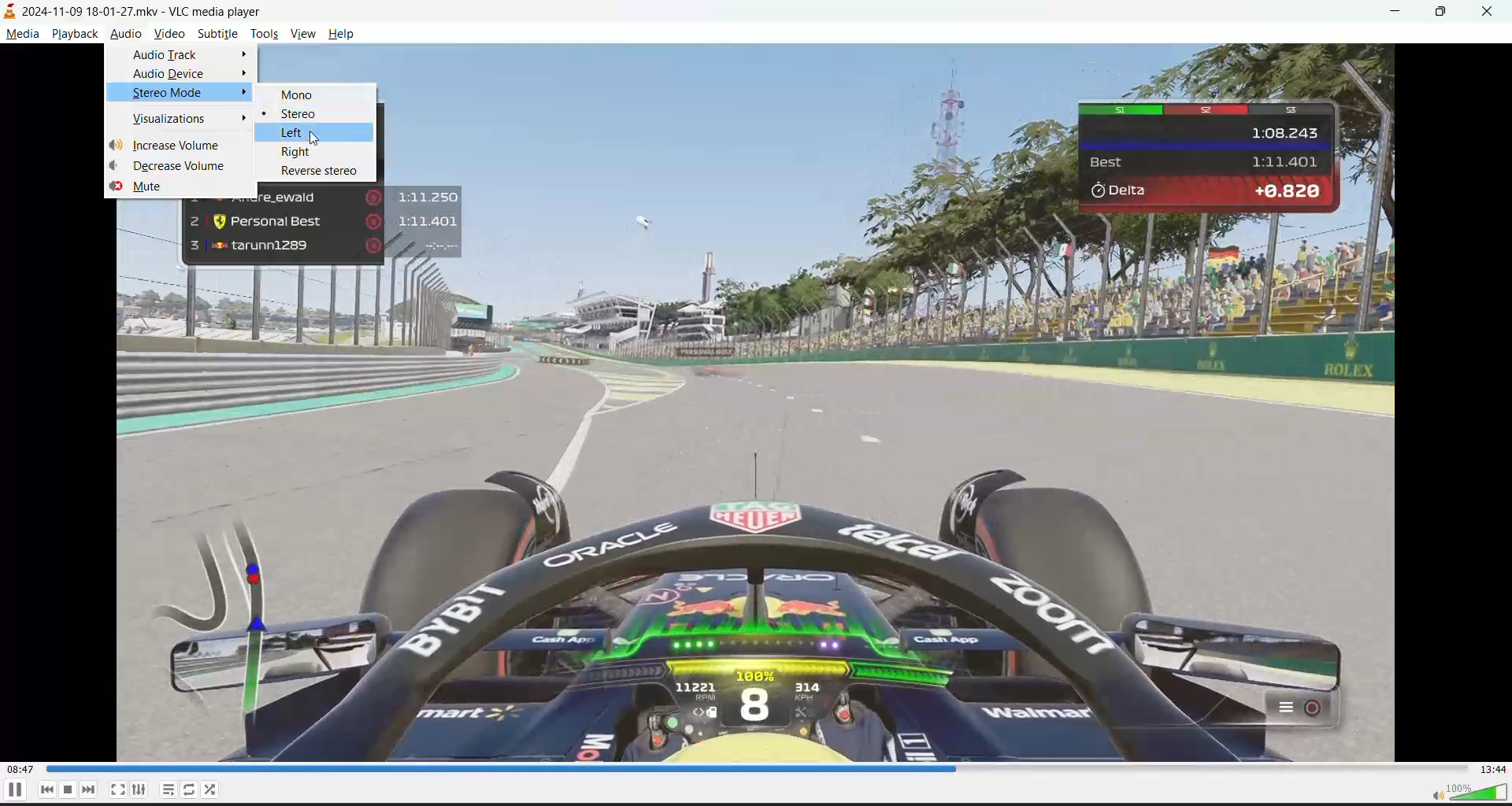 Image resolution: width=1512 pixels, height=806 pixels. What do you see at coordinates (263, 35) in the screenshot?
I see `tools` at bounding box center [263, 35].